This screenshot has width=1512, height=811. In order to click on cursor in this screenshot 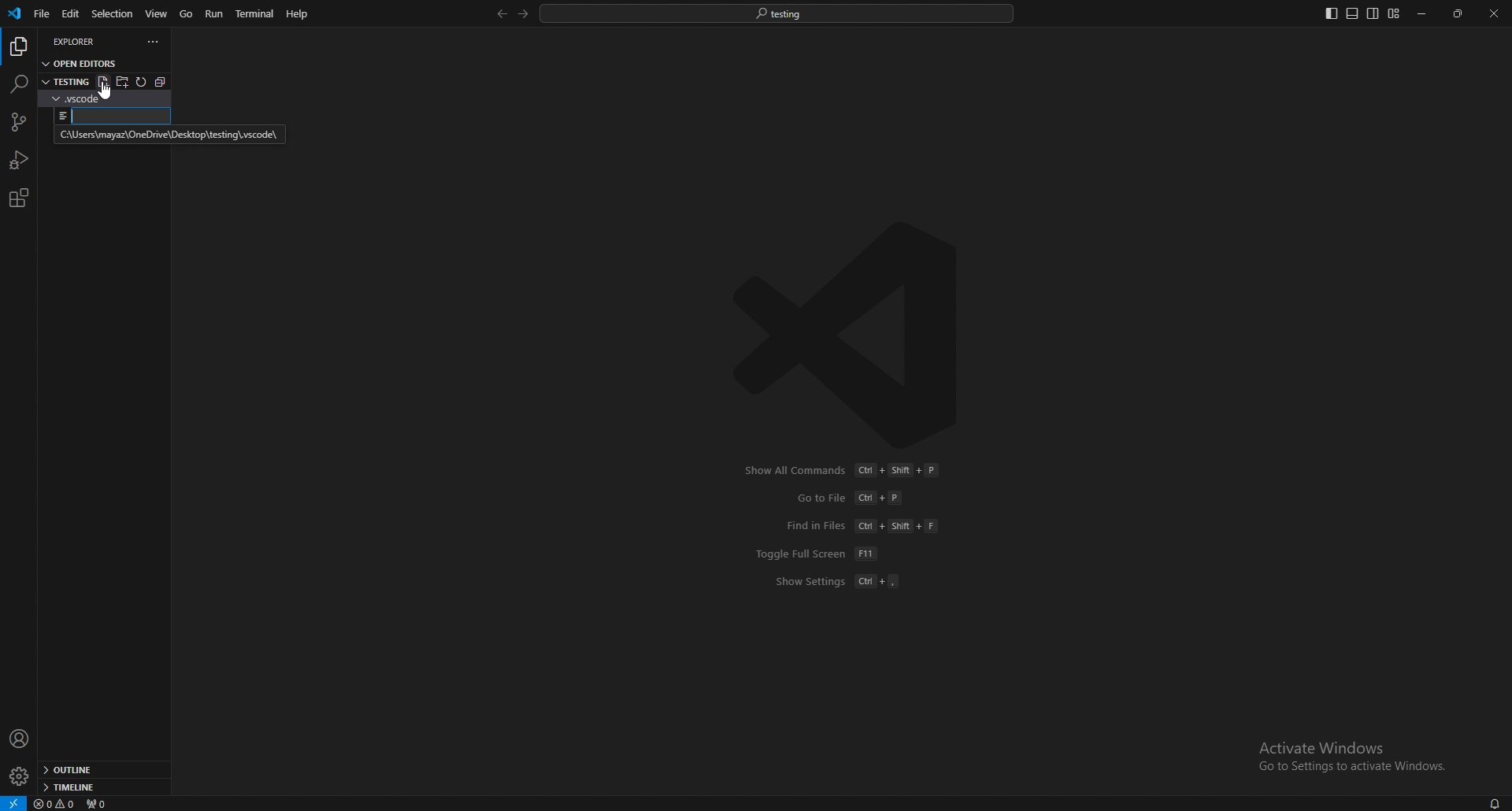, I will do `click(104, 94)`.